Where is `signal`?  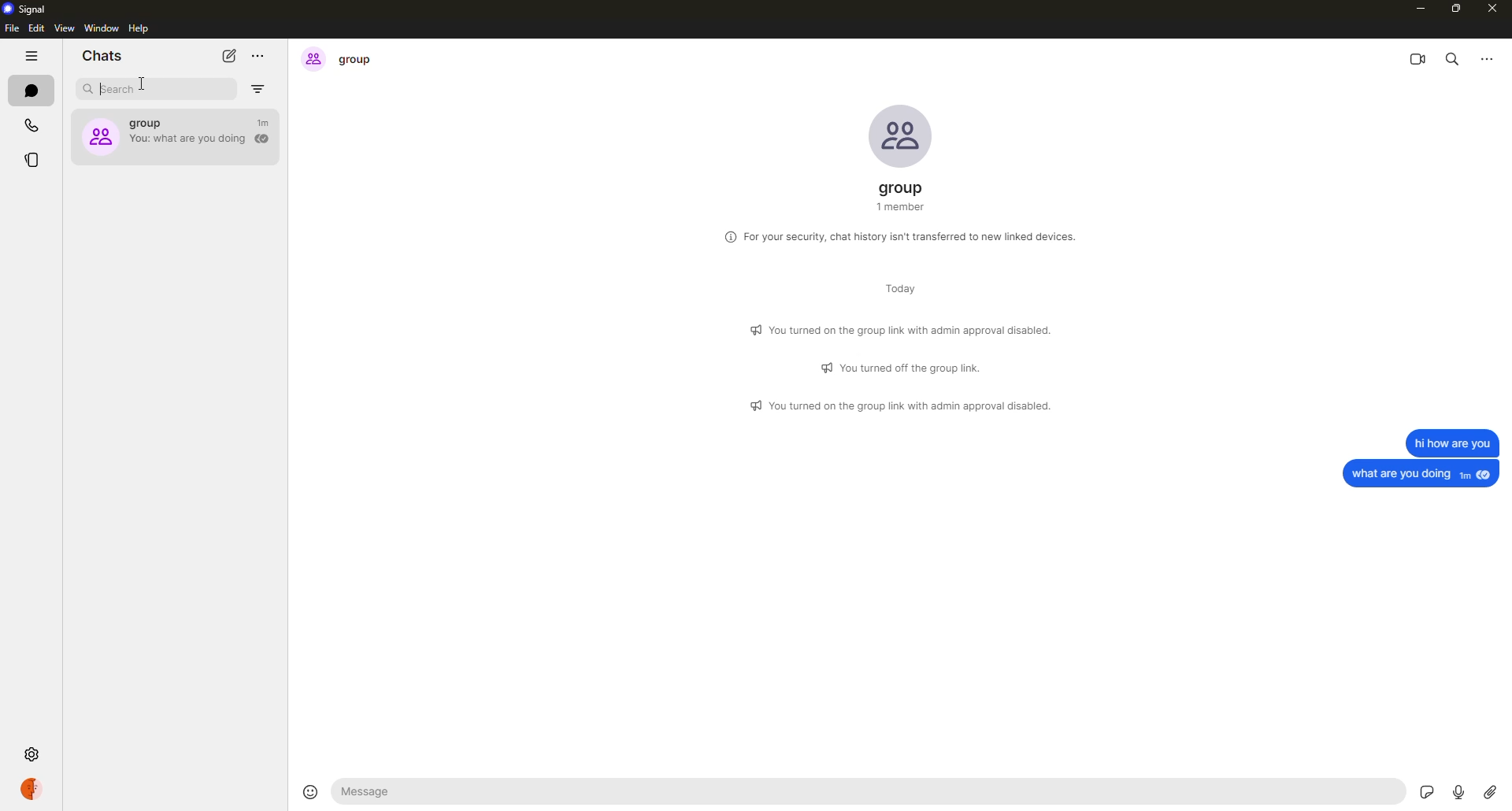
signal is located at coordinates (28, 9).